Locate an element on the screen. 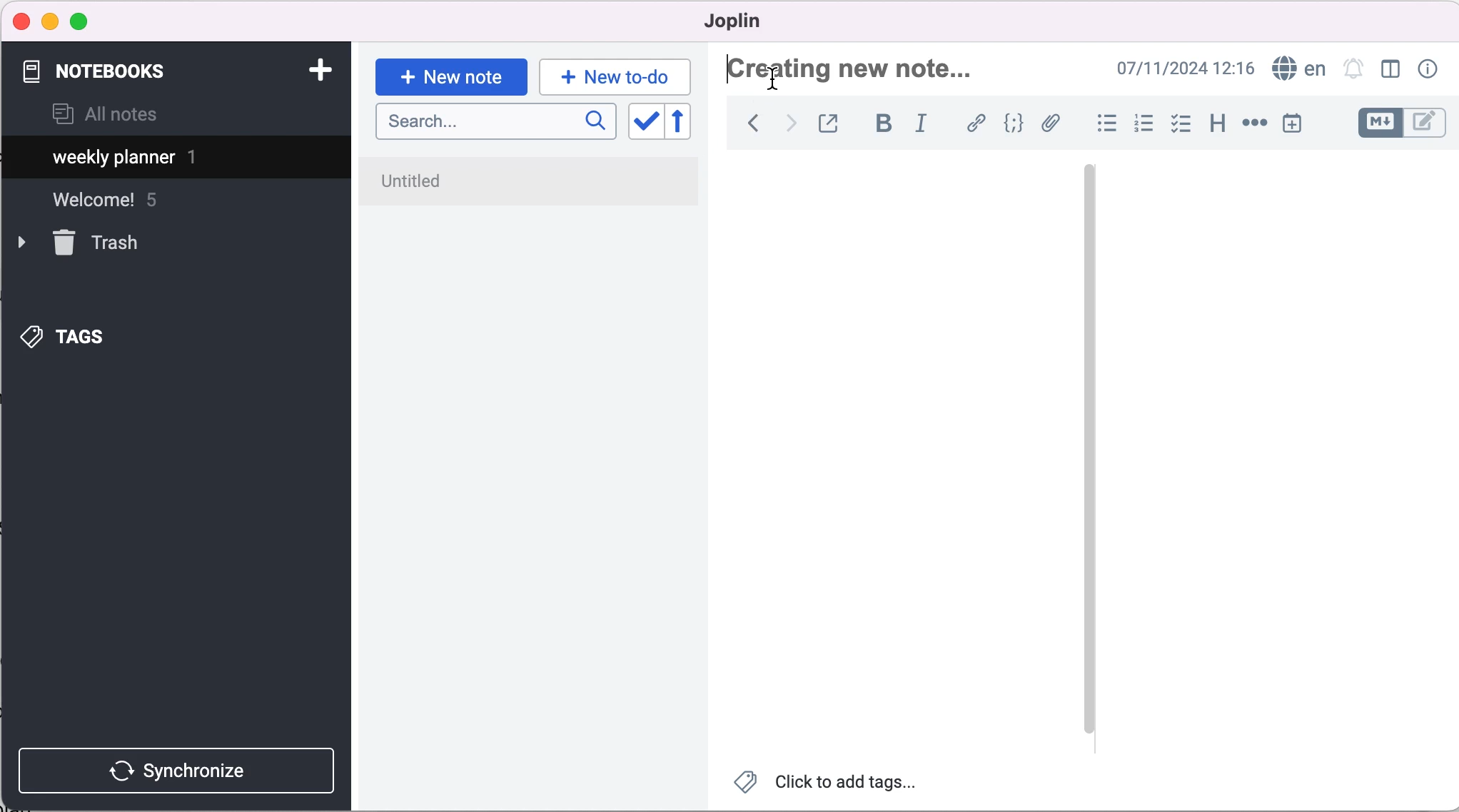  tags is located at coordinates (86, 333).